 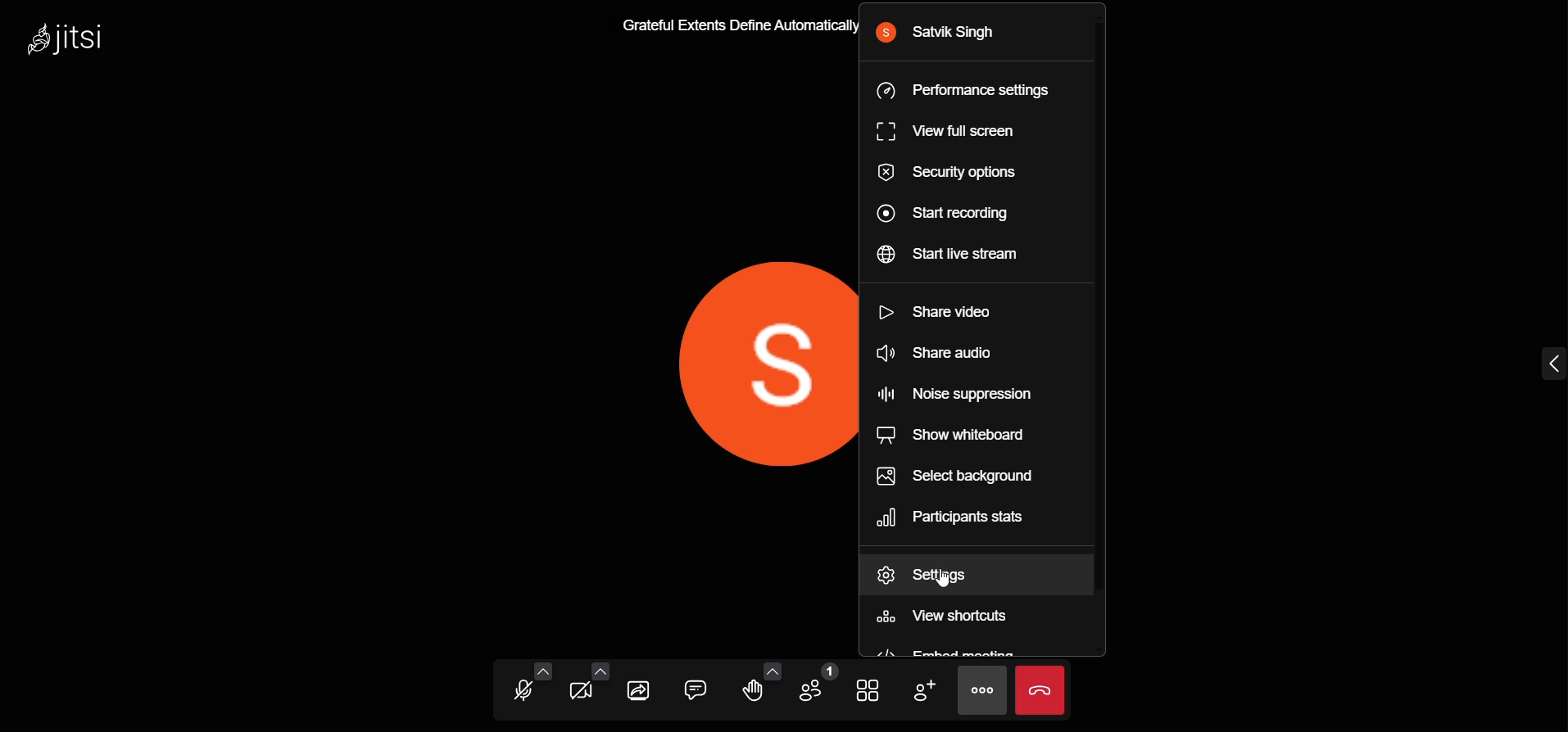 What do you see at coordinates (986, 692) in the screenshot?
I see `more` at bounding box center [986, 692].